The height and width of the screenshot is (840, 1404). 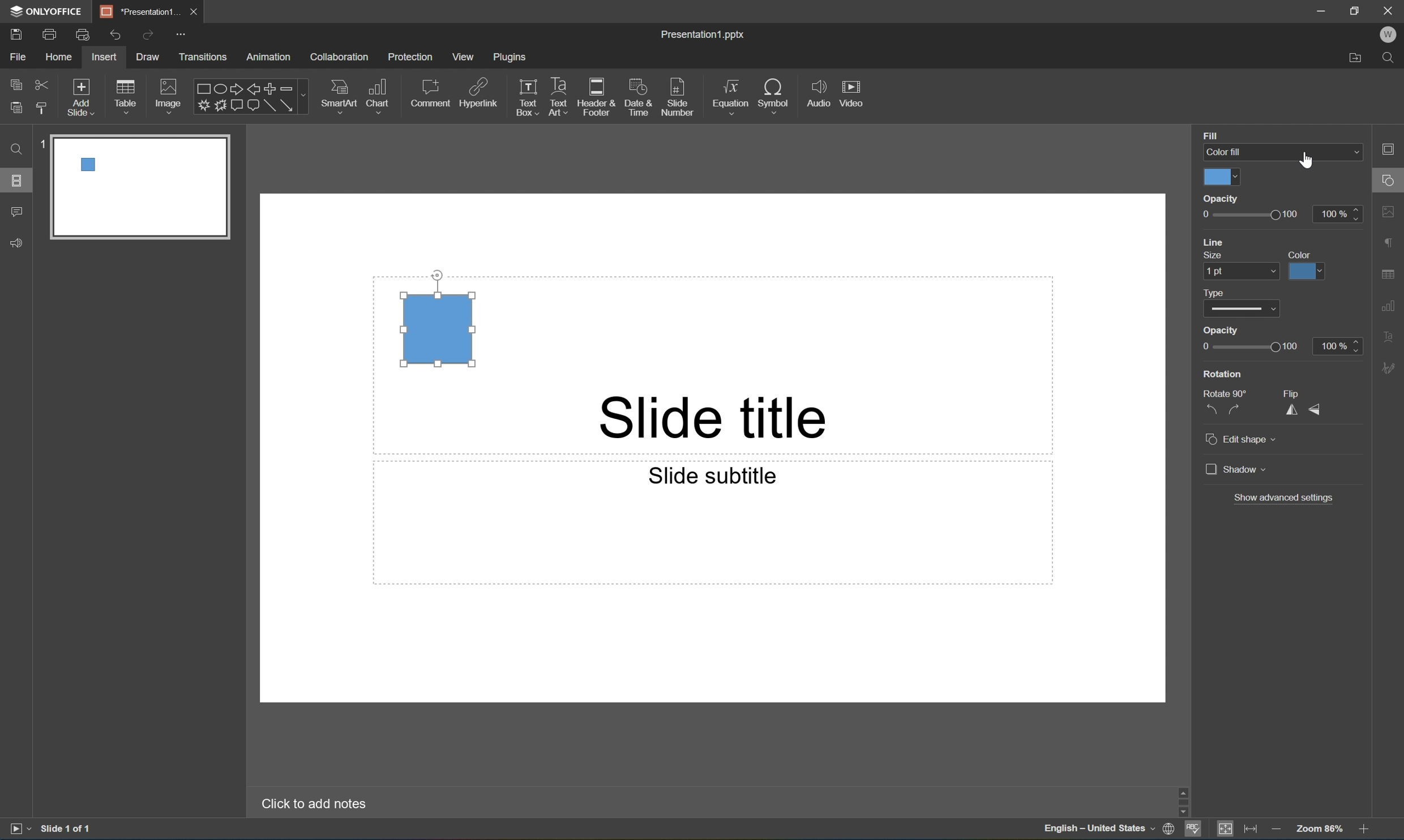 What do you see at coordinates (293, 88) in the screenshot?
I see `Minus` at bounding box center [293, 88].